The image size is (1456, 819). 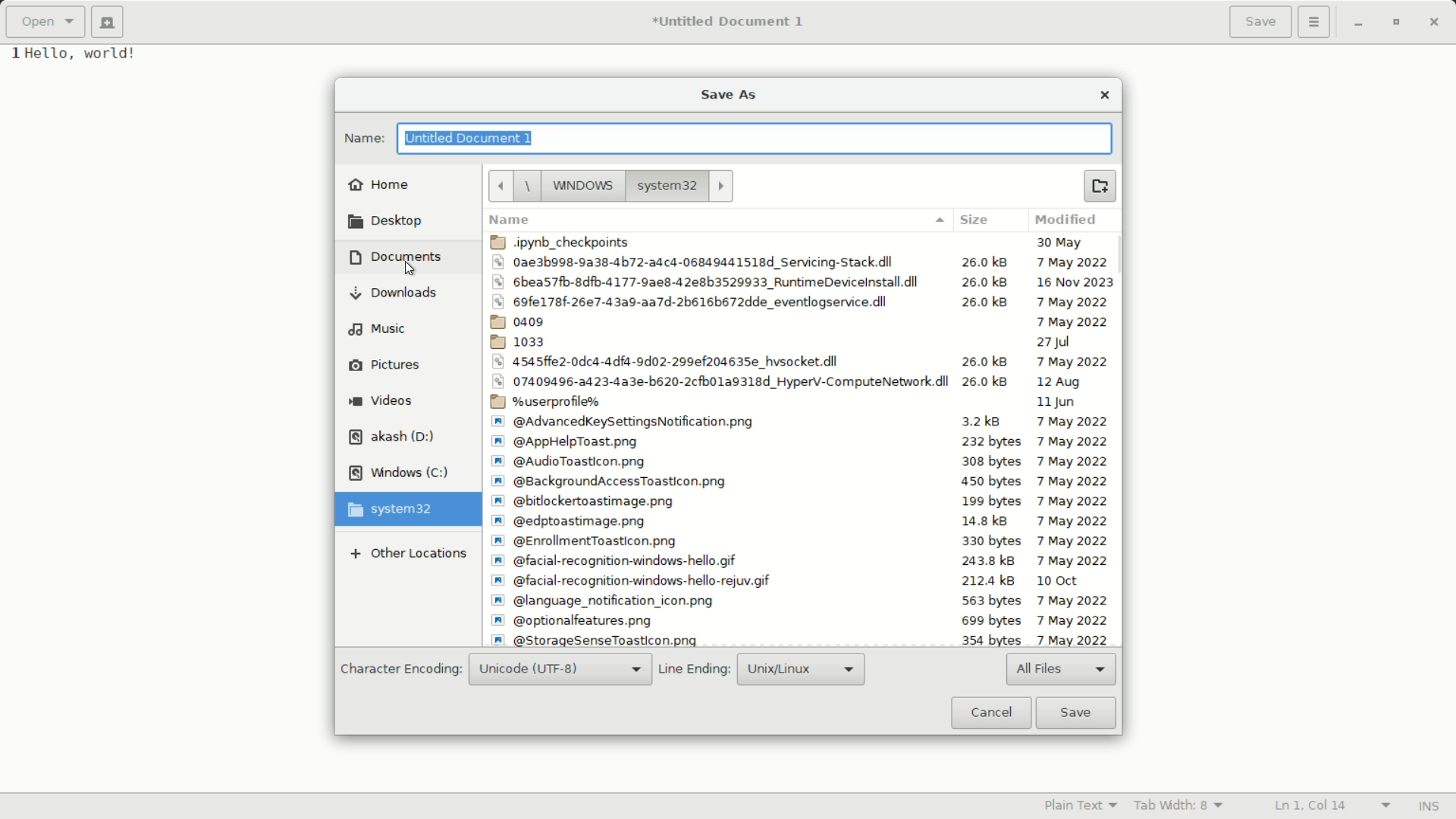 I want to click on more options, so click(x=1314, y=22).